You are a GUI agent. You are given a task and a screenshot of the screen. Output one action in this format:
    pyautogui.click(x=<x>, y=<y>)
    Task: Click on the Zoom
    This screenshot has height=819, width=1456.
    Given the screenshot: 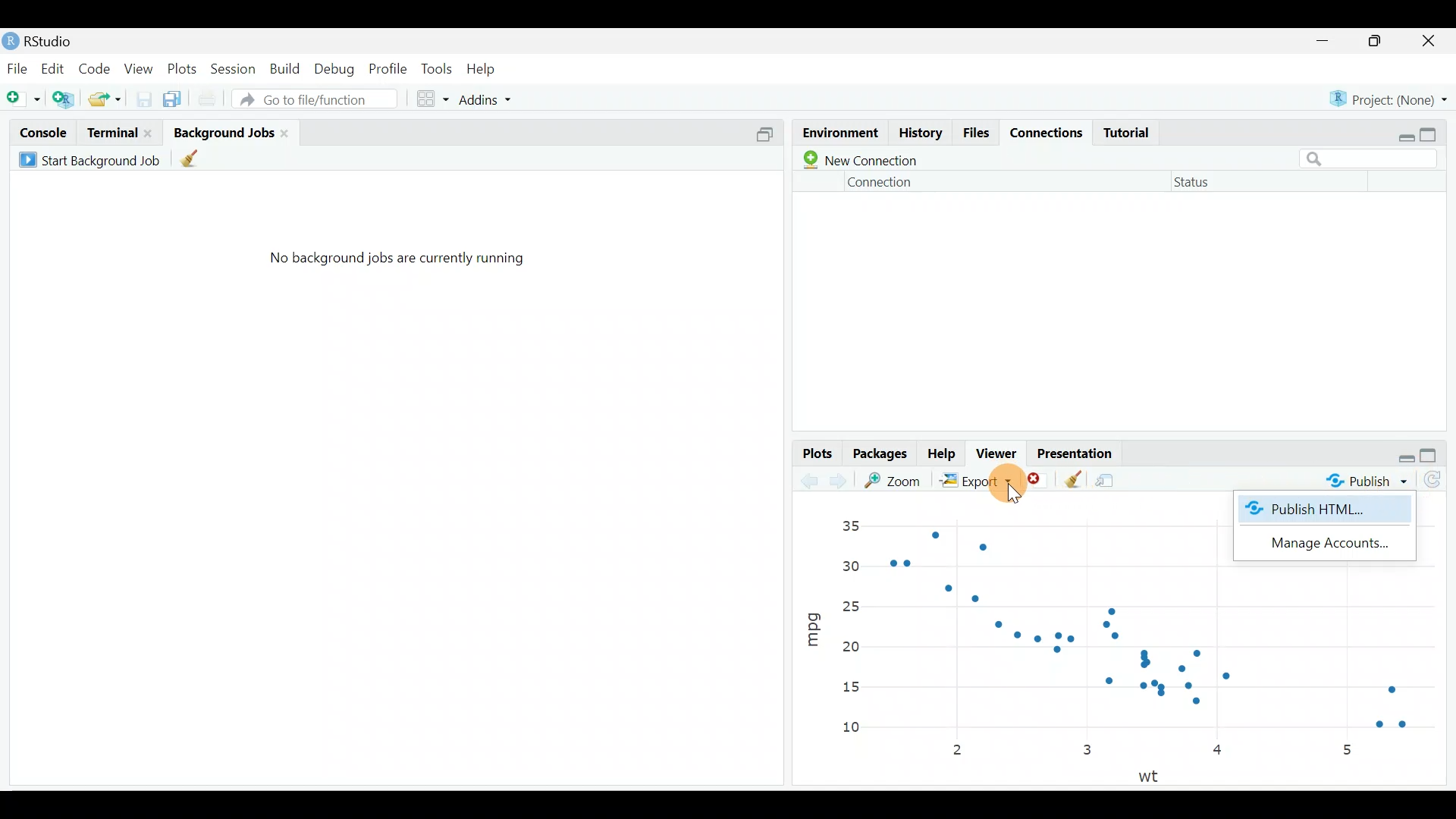 What is the action you would take?
    pyautogui.click(x=896, y=480)
    